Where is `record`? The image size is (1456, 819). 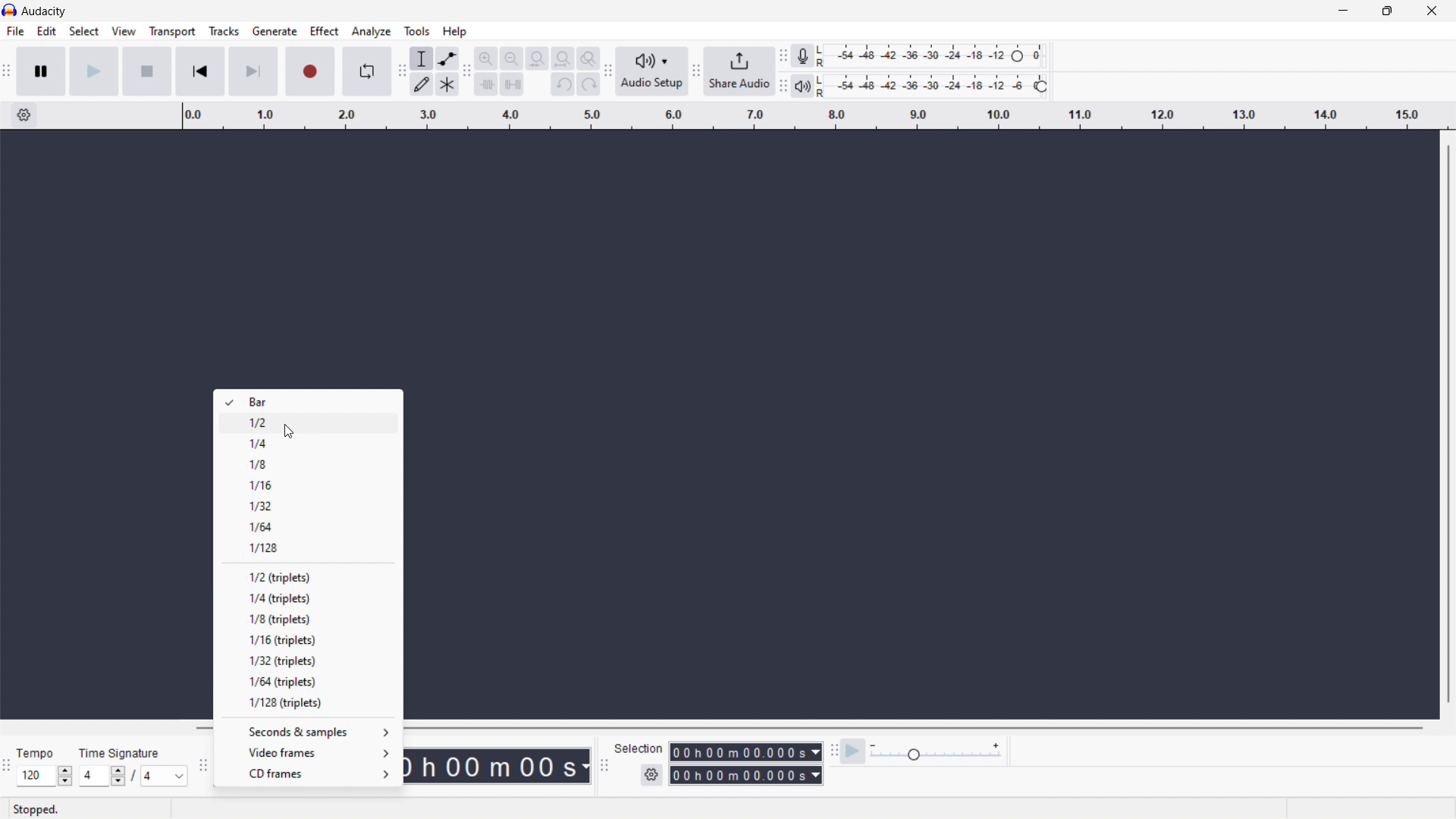 record is located at coordinates (309, 71).